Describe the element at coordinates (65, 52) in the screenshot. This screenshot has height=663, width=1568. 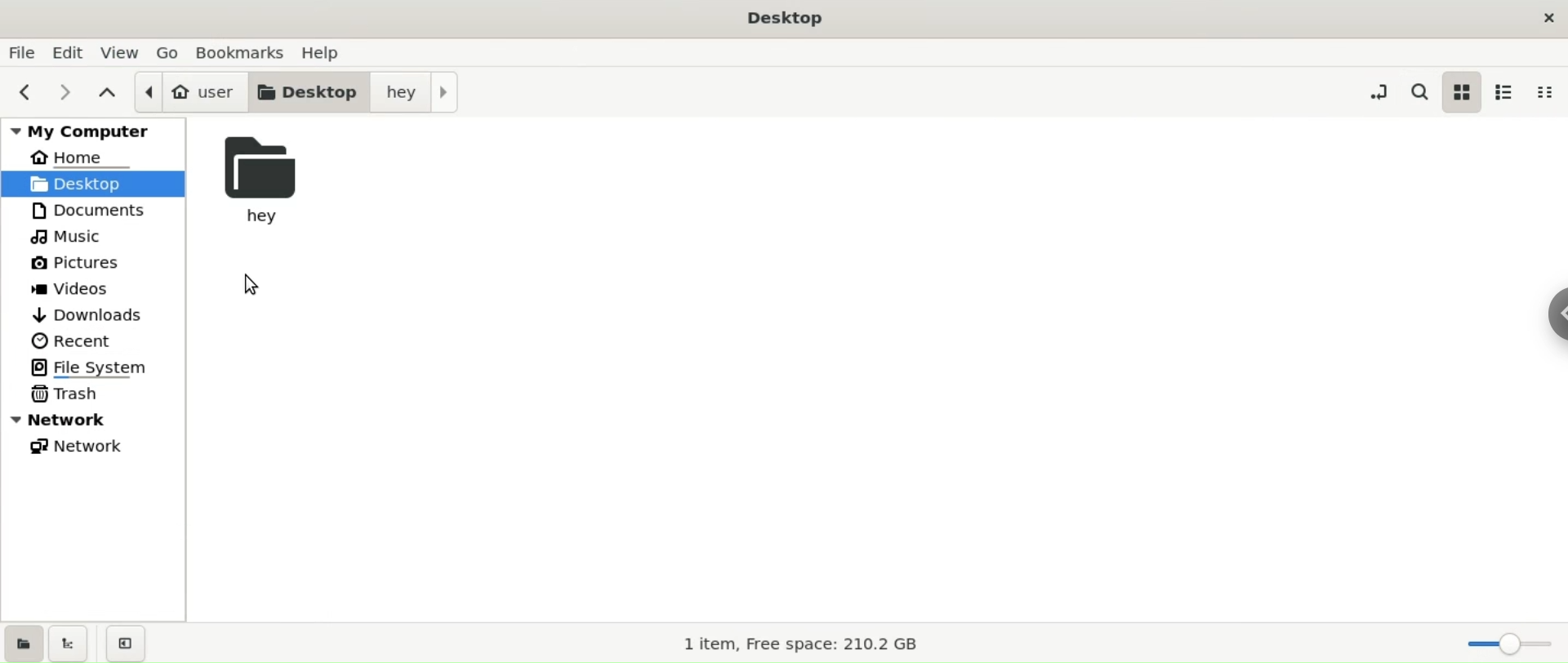
I see `edit` at that location.